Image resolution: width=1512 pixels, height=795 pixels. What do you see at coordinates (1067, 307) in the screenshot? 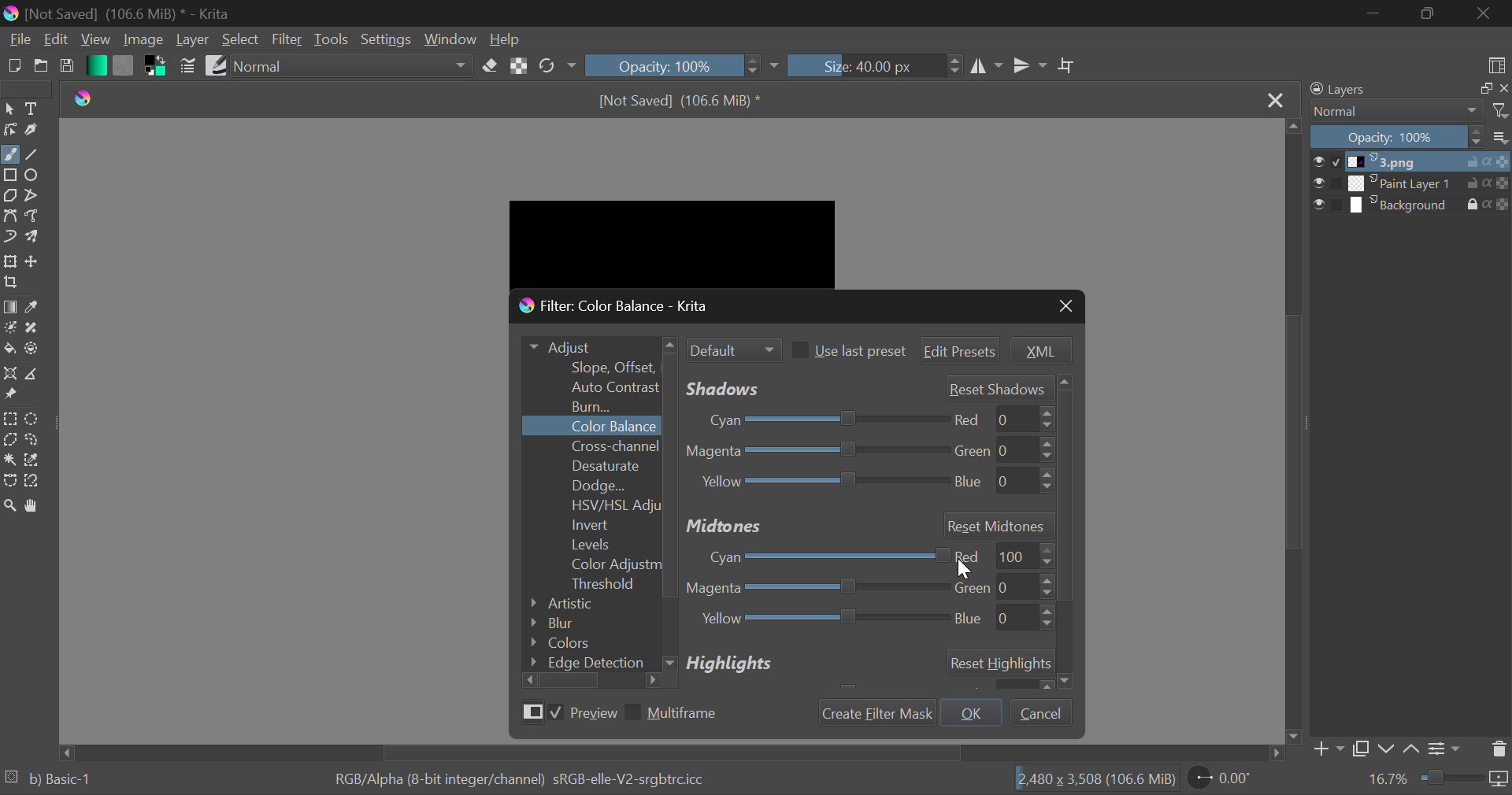
I see `Close` at bounding box center [1067, 307].